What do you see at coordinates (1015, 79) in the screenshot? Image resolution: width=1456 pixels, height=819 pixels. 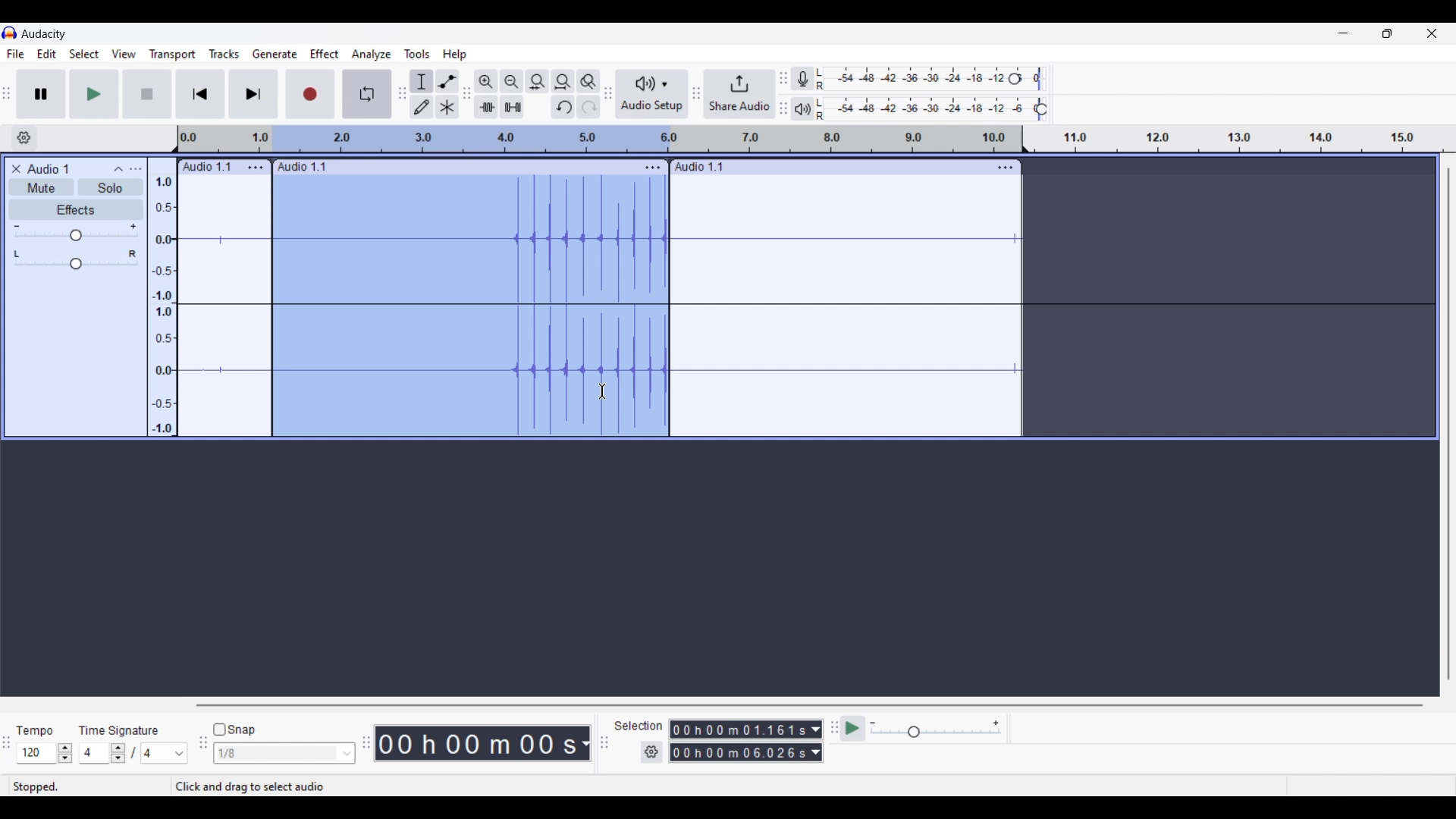 I see `Recording level header` at bounding box center [1015, 79].